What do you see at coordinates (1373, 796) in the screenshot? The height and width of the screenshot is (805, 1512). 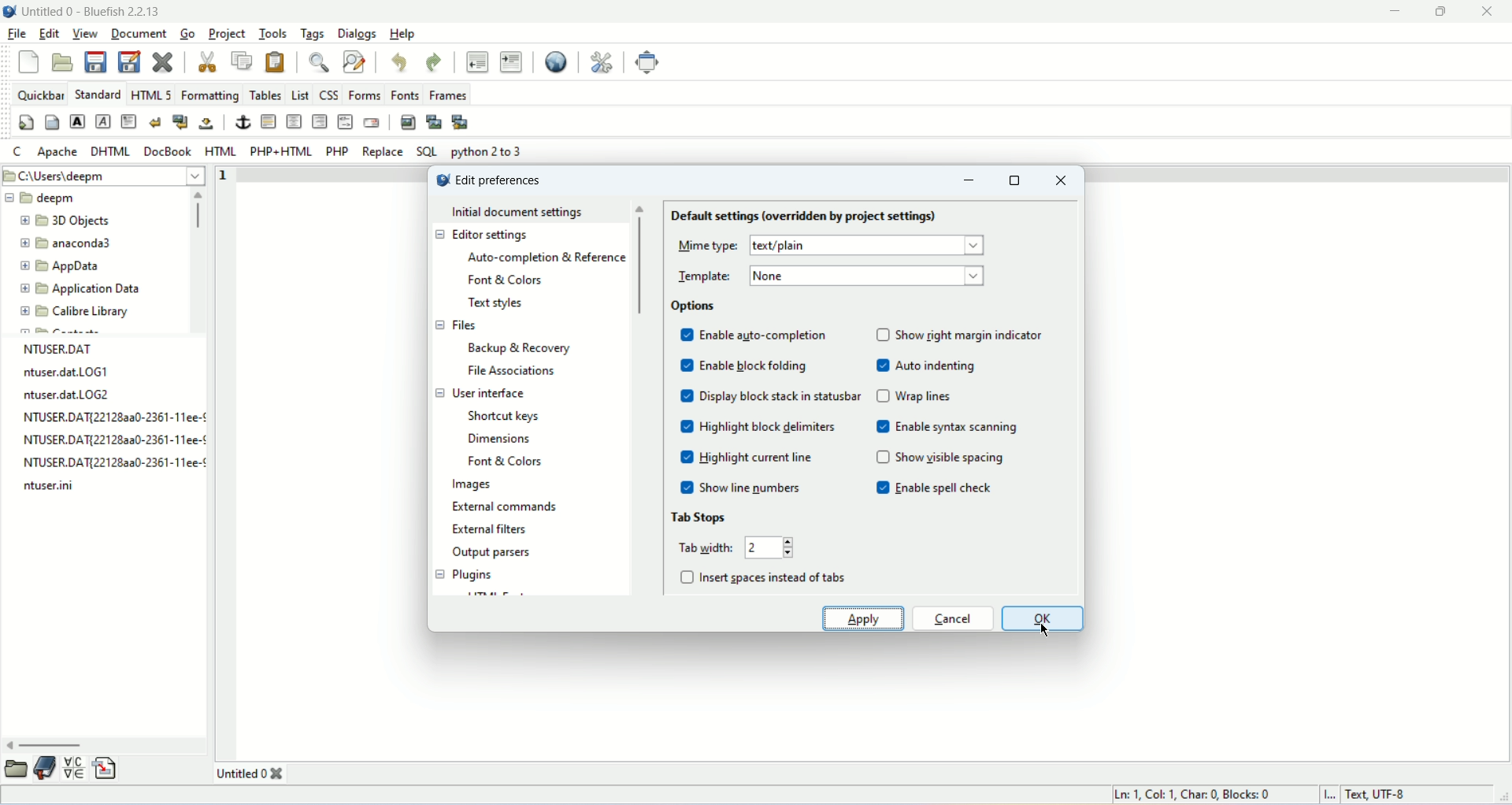 I see `text, UTF-8` at bounding box center [1373, 796].